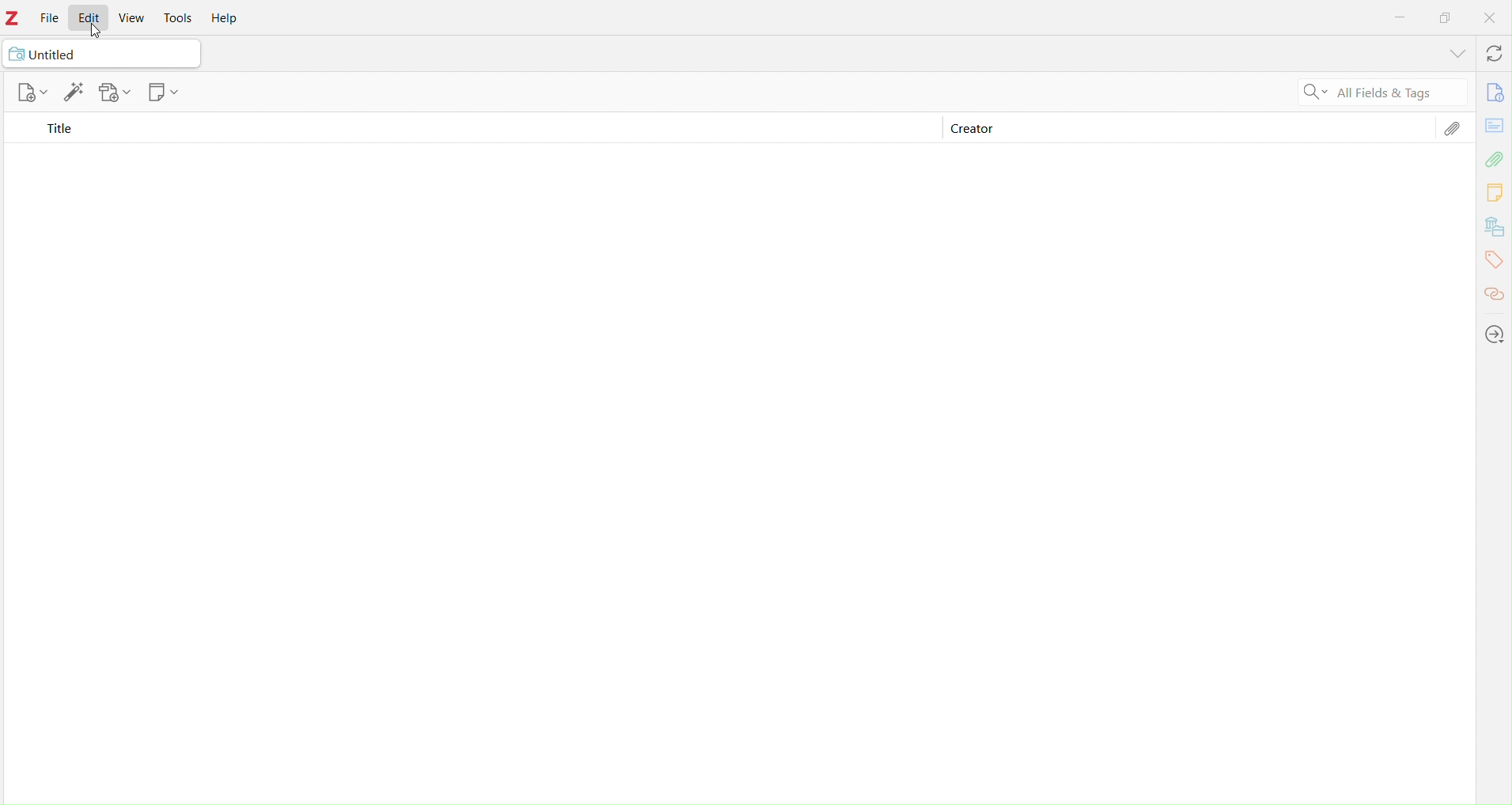 Image resolution: width=1512 pixels, height=805 pixels. What do you see at coordinates (1446, 17) in the screenshot?
I see `Box` at bounding box center [1446, 17].